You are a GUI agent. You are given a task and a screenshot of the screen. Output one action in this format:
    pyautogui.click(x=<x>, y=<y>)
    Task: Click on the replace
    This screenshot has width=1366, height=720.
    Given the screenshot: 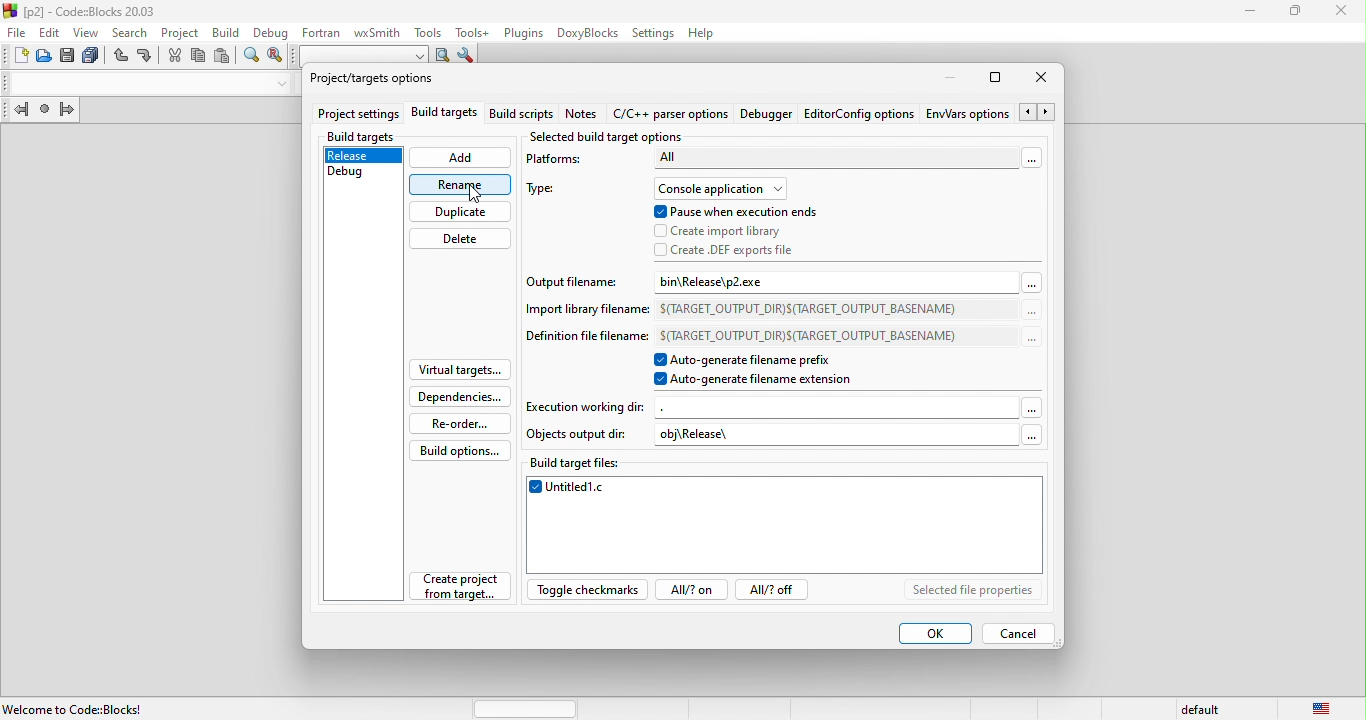 What is the action you would take?
    pyautogui.click(x=275, y=57)
    